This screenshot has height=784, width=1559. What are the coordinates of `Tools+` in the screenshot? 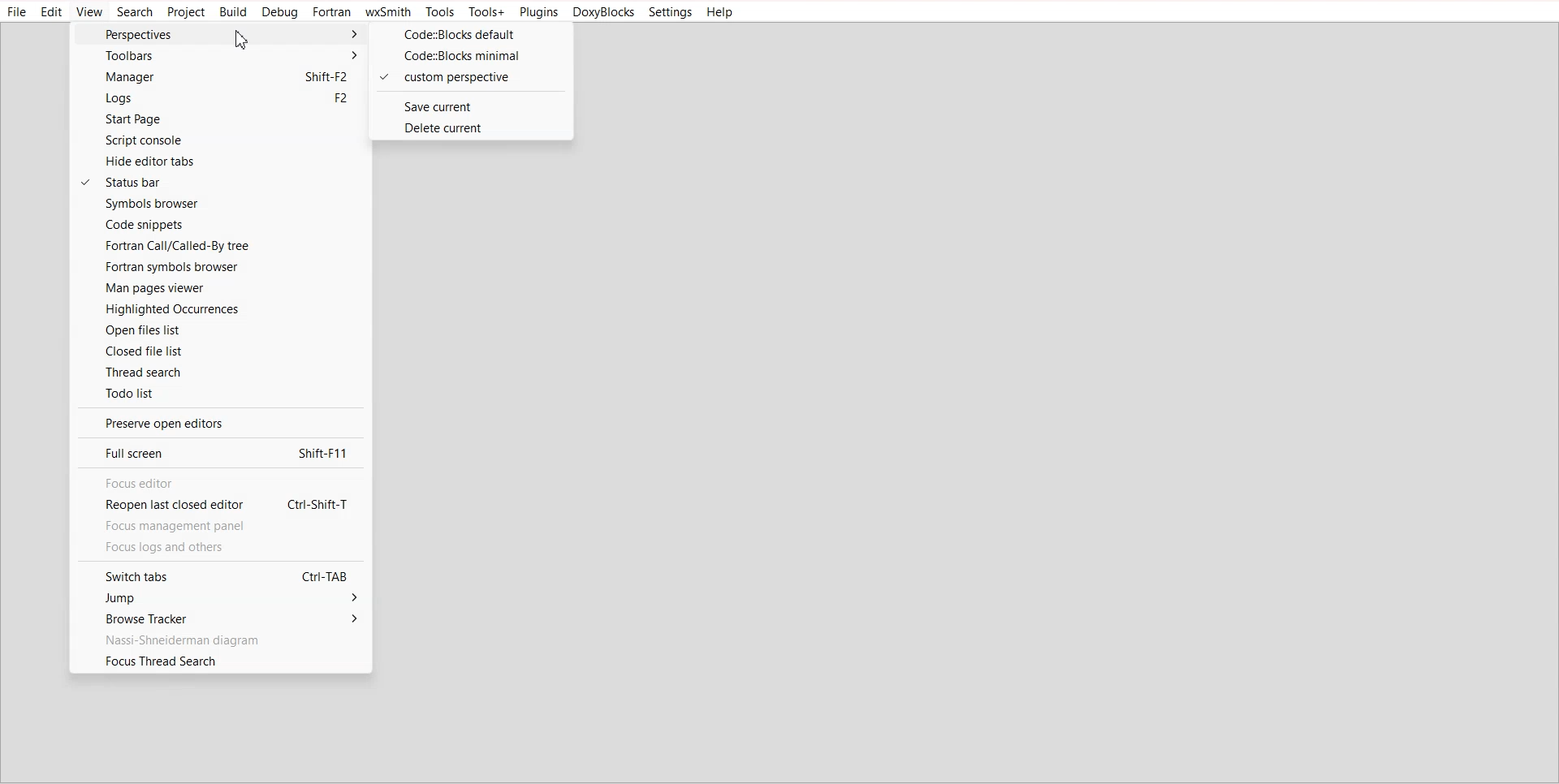 It's located at (486, 12).